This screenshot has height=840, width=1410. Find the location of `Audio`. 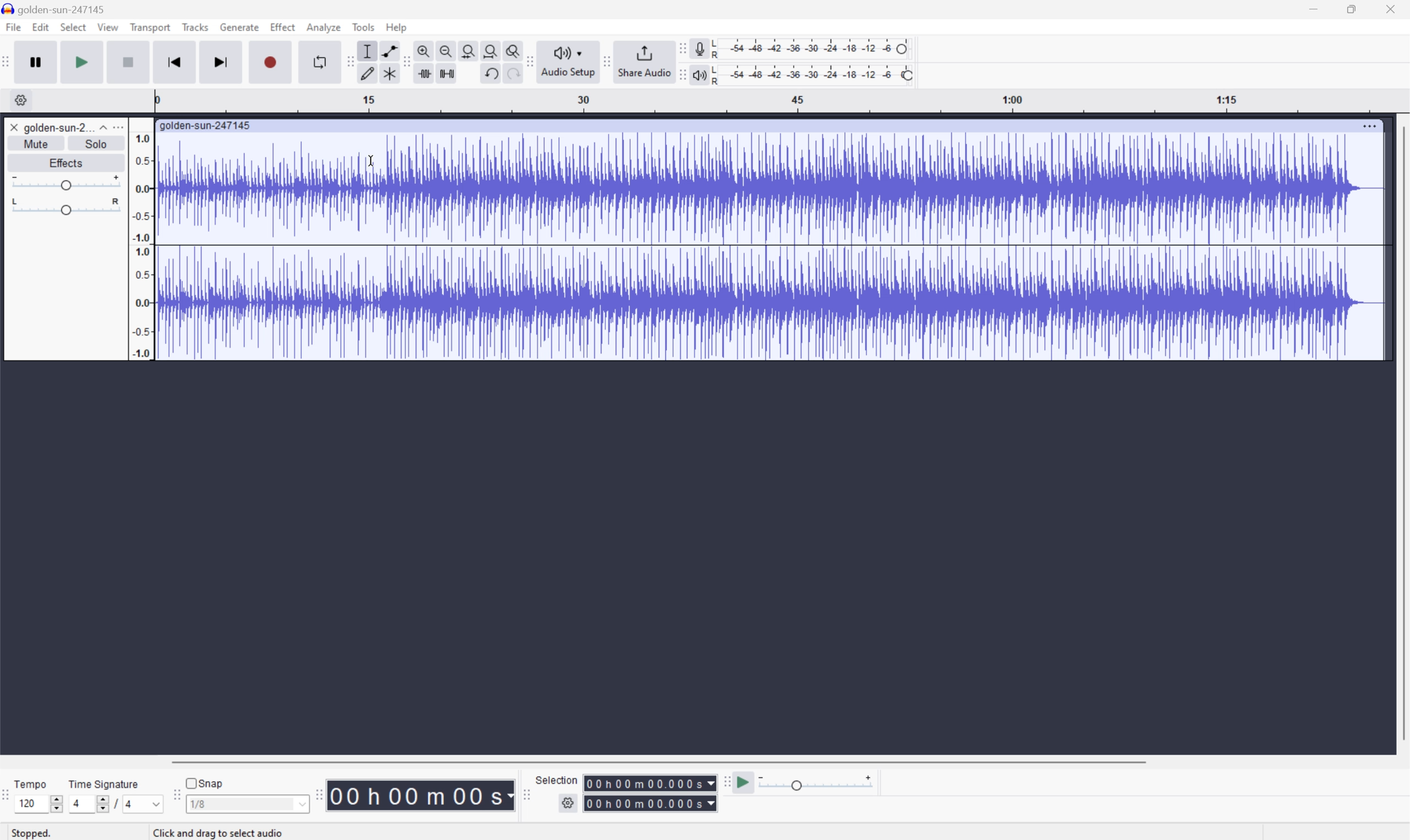

Audio is located at coordinates (770, 246).